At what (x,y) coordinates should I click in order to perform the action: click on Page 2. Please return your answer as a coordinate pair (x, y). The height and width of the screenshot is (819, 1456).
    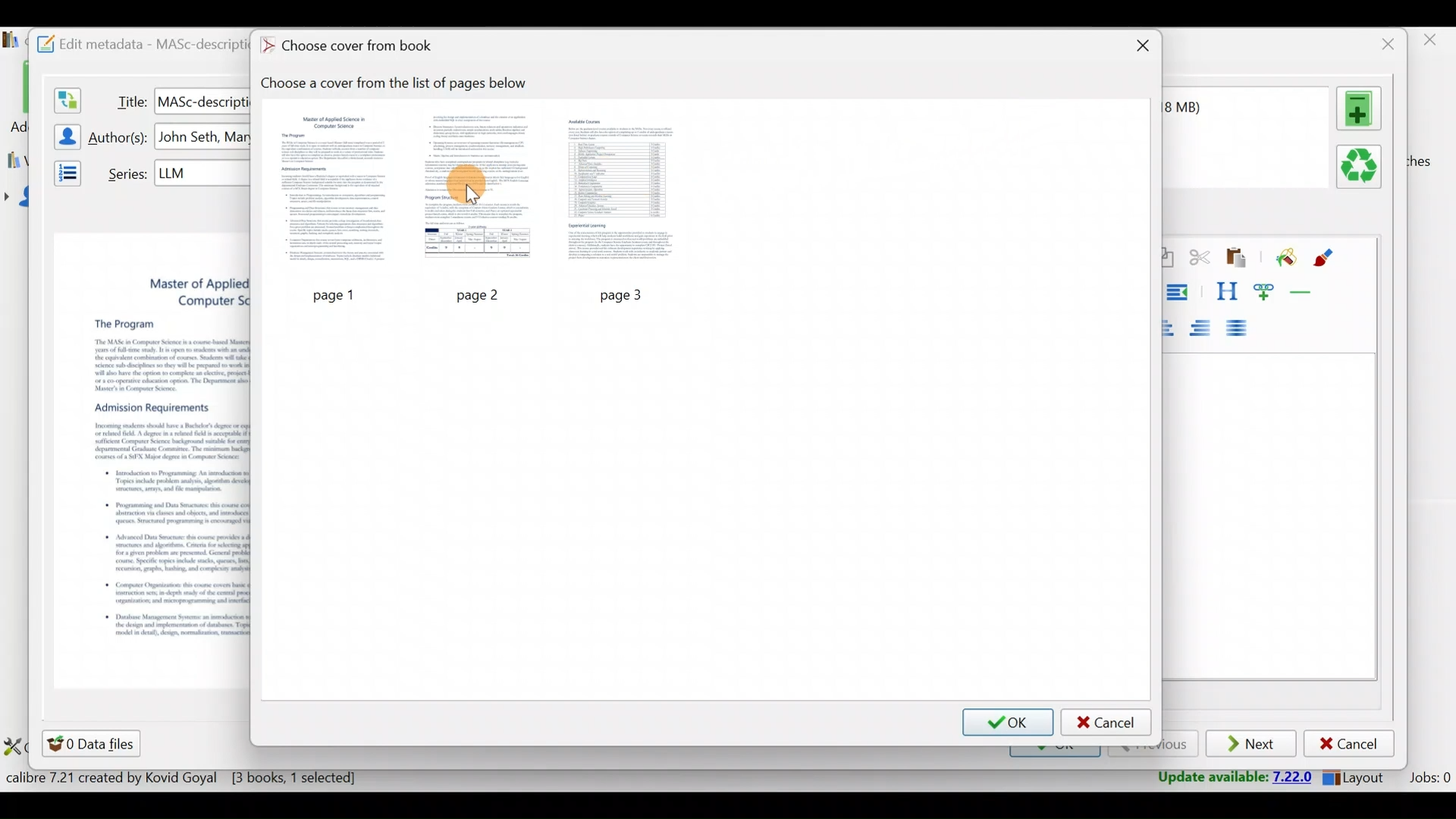
    Looking at the image, I should click on (479, 190).